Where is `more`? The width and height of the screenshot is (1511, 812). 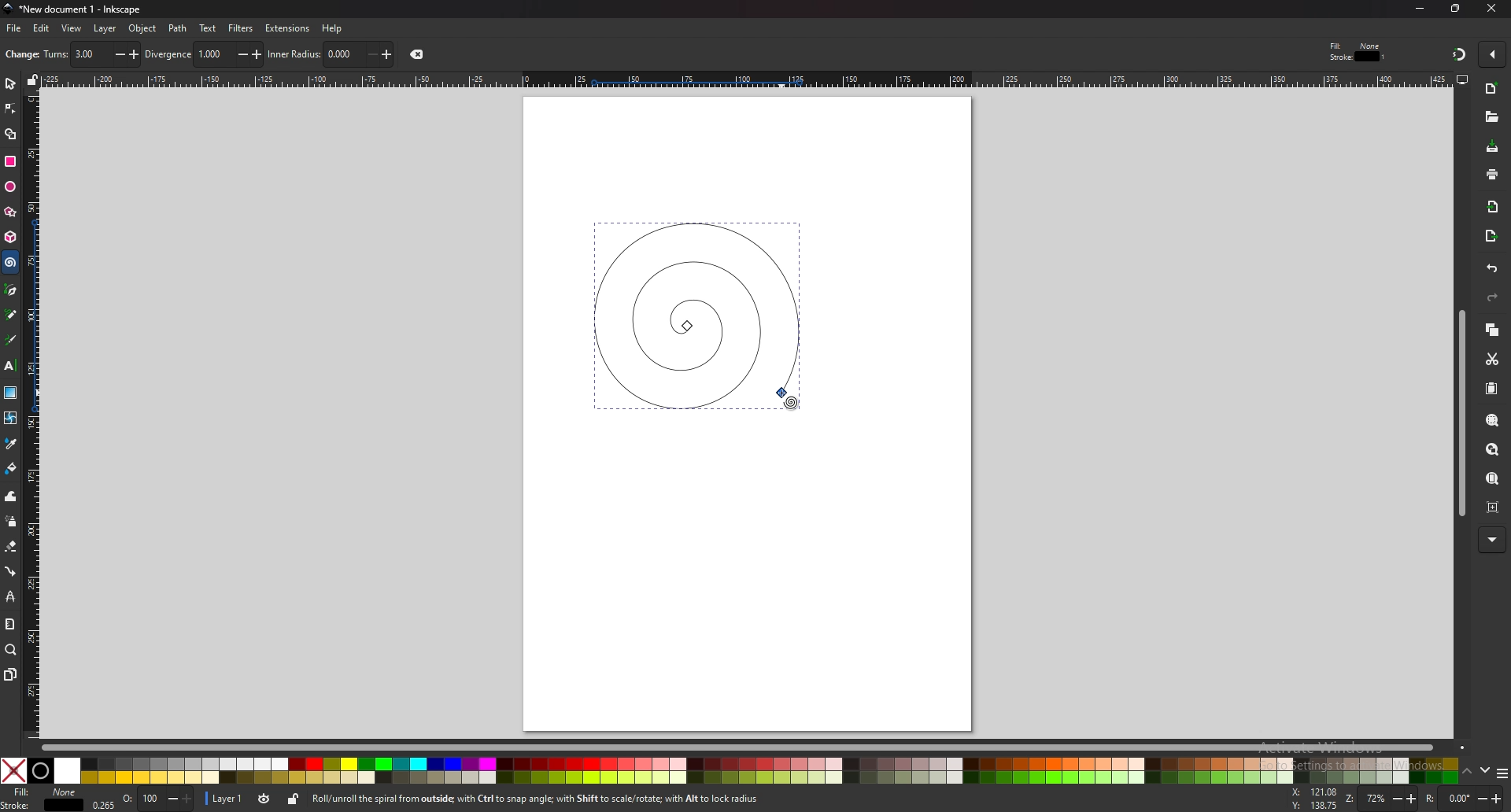
more is located at coordinates (1492, 538).